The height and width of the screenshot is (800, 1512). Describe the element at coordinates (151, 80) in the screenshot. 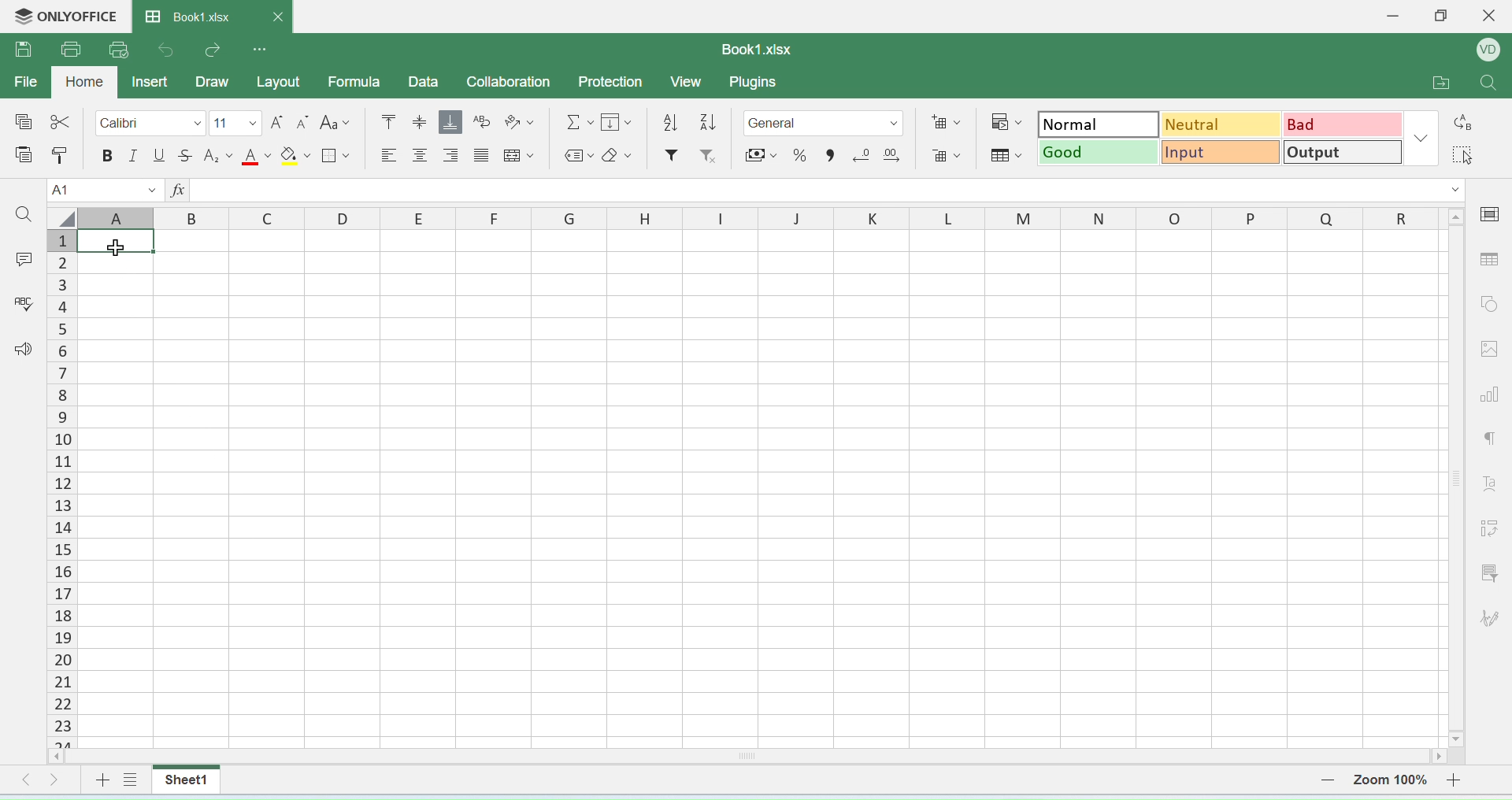

I see `inser` at that location.